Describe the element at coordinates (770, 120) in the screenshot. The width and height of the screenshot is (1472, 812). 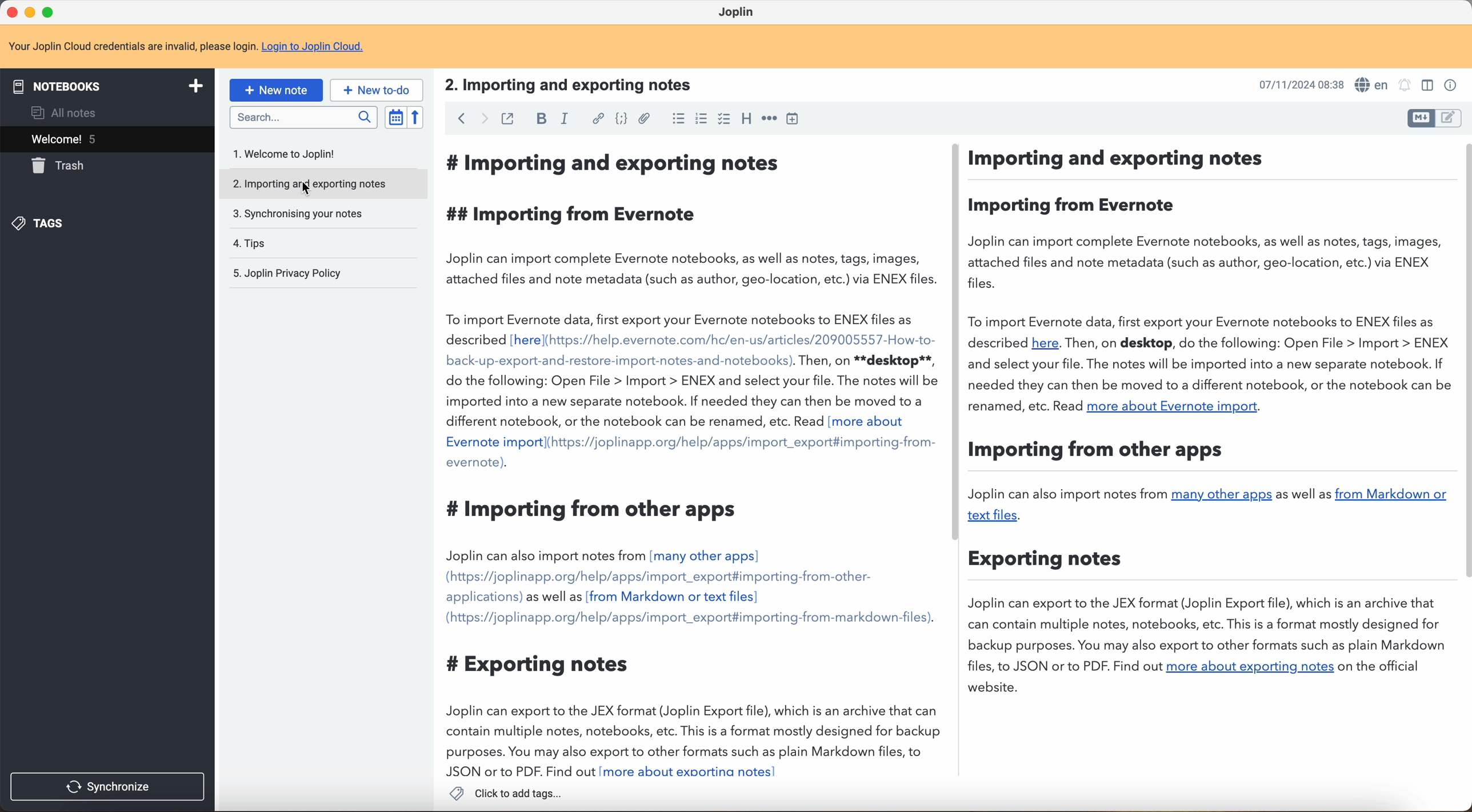
I see `horizontal rule` at that location.